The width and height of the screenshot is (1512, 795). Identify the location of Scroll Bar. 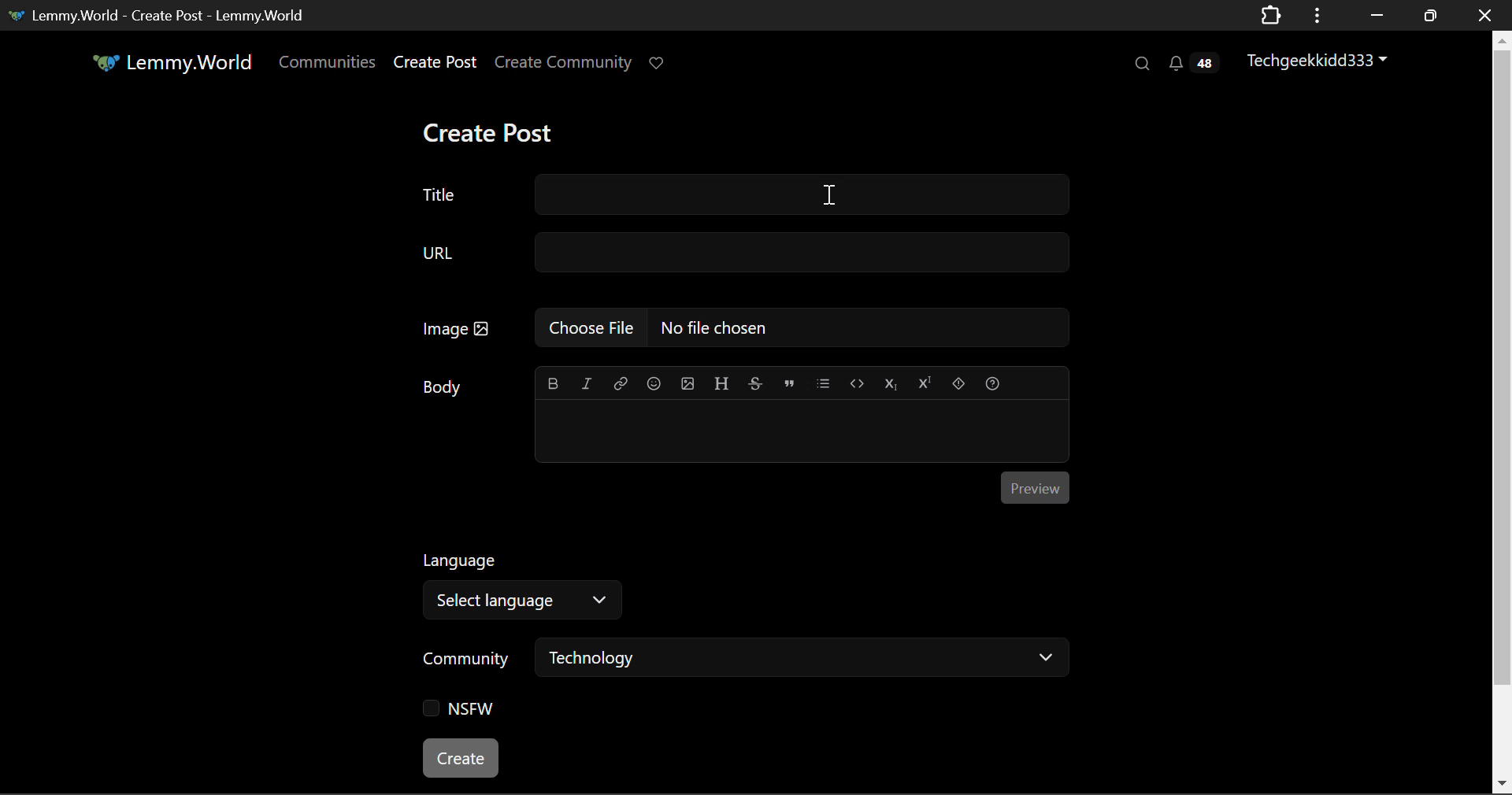
(1503, 409).